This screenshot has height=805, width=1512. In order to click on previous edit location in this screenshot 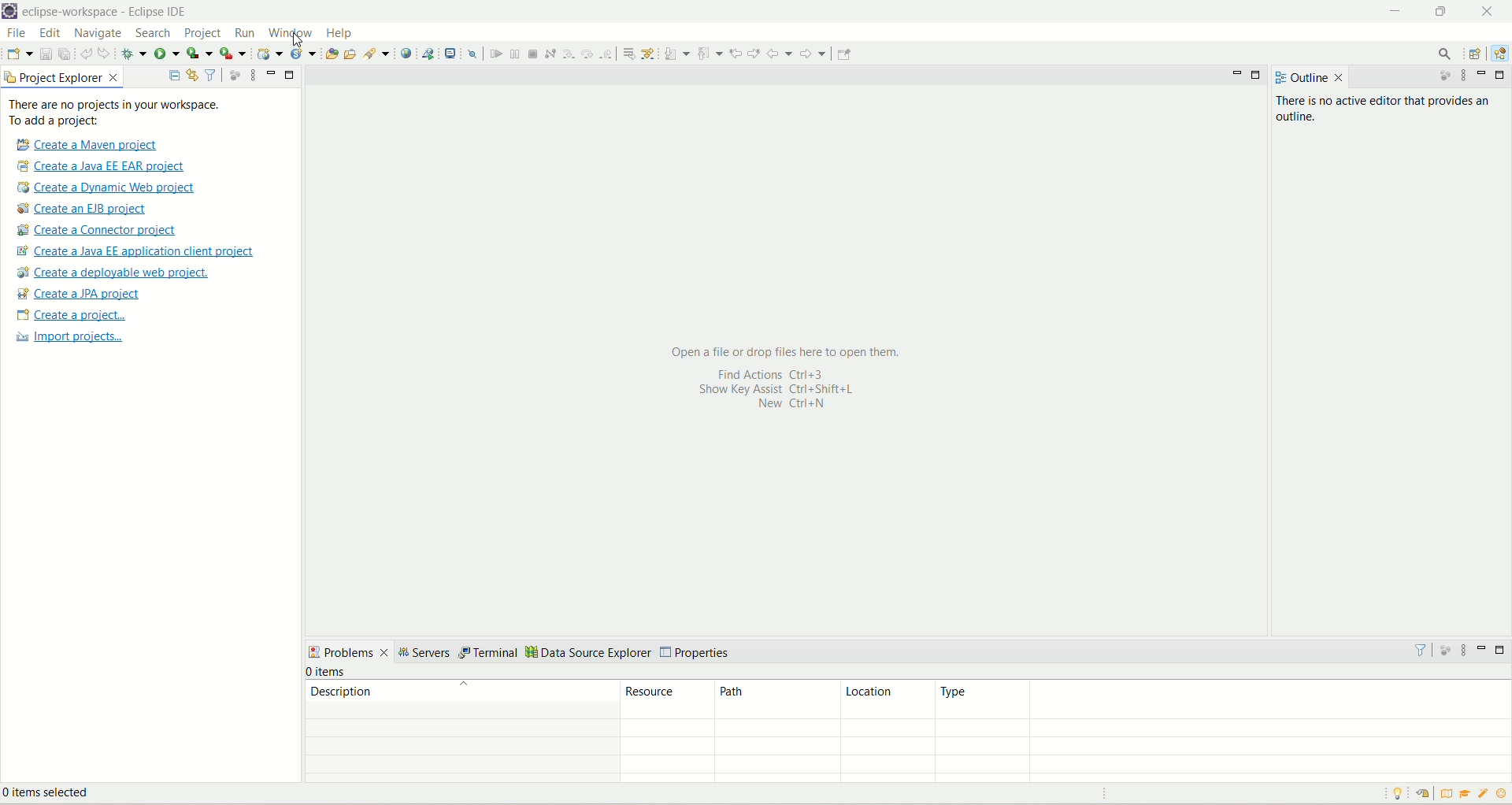, I will do `click(736, 54)`.